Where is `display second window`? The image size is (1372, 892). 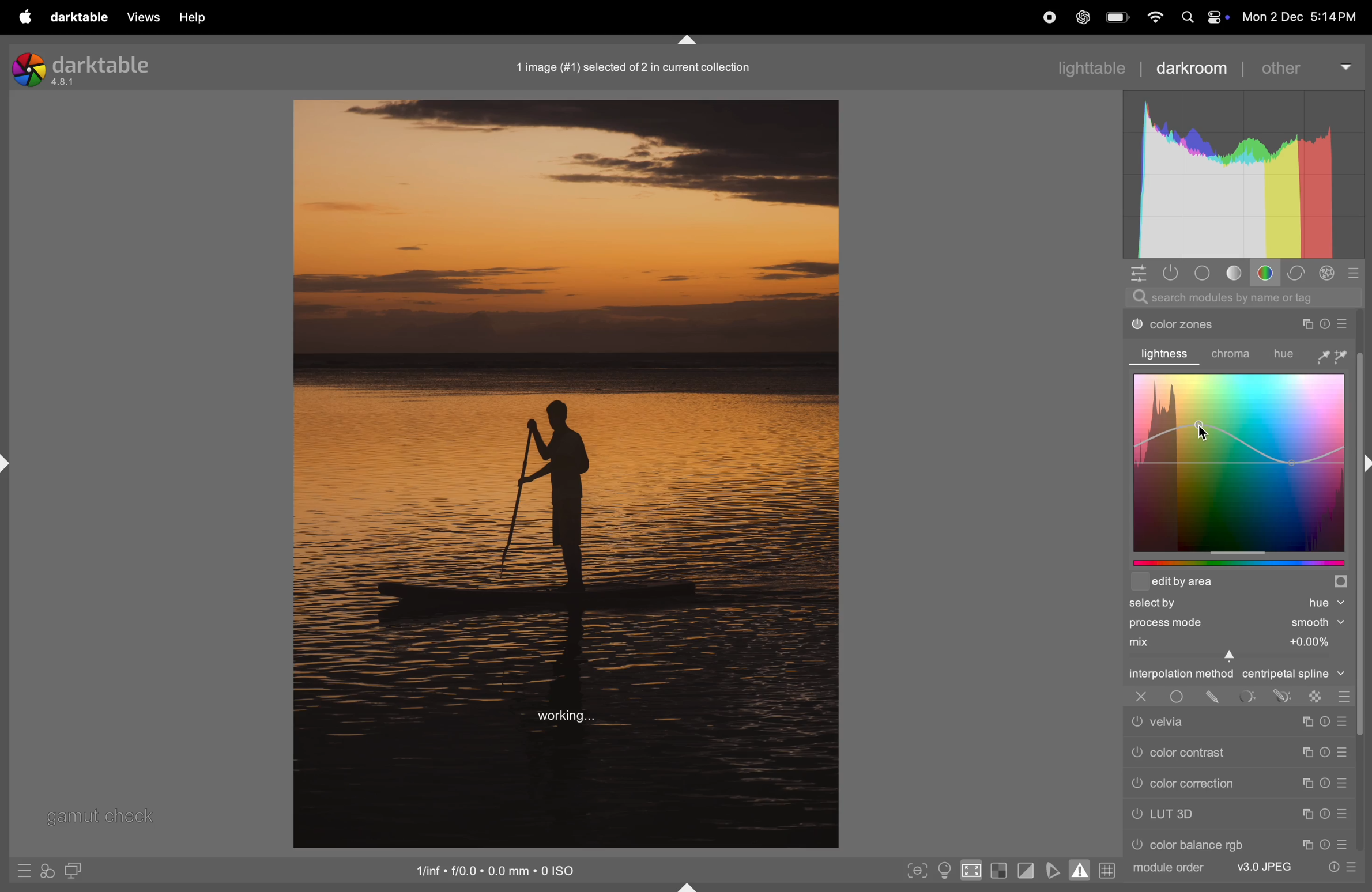
display second window is located at coordinates (76, 872).